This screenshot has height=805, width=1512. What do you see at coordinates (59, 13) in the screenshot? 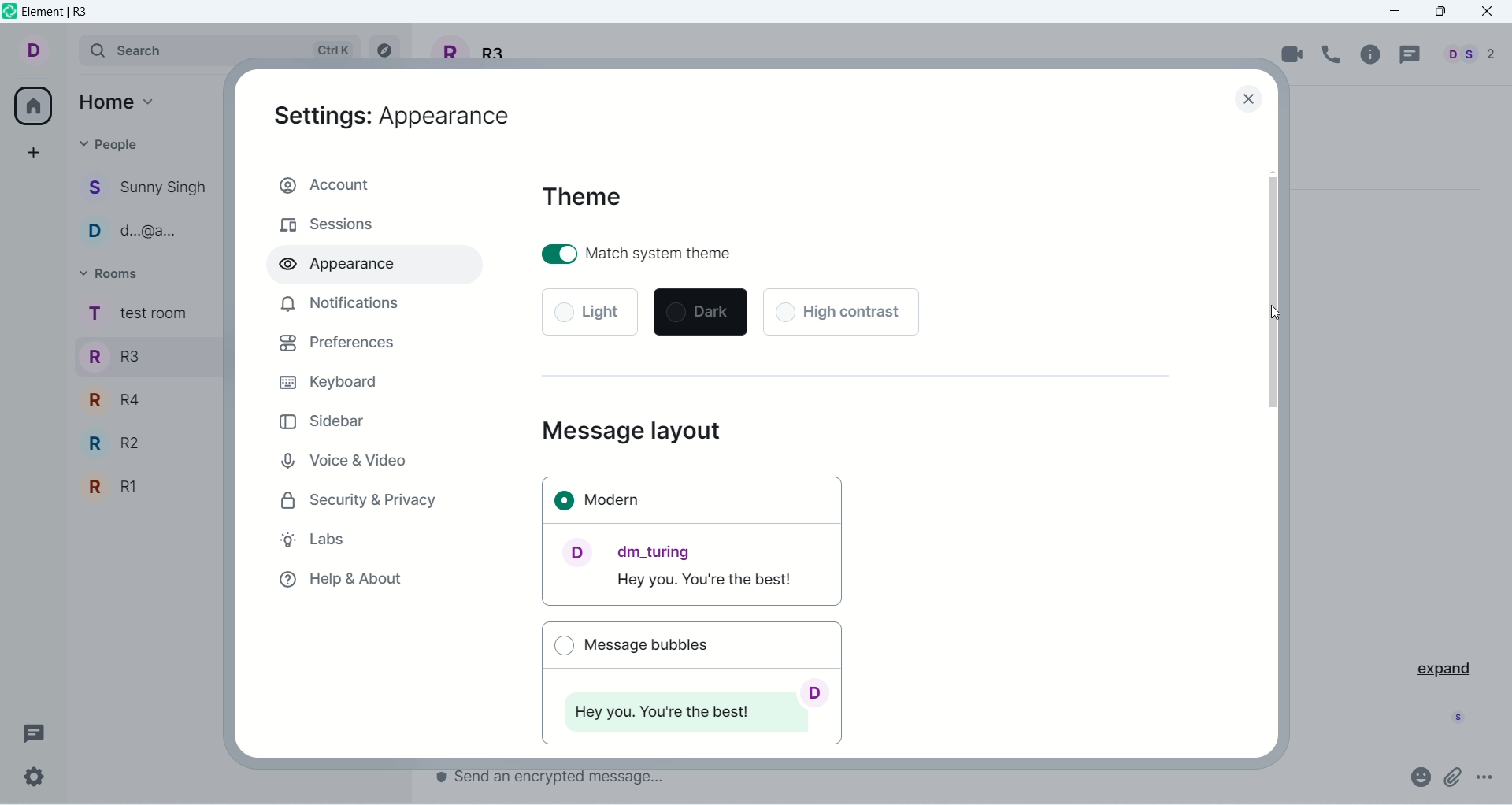
I see `element` at bounding box center [59, 13].